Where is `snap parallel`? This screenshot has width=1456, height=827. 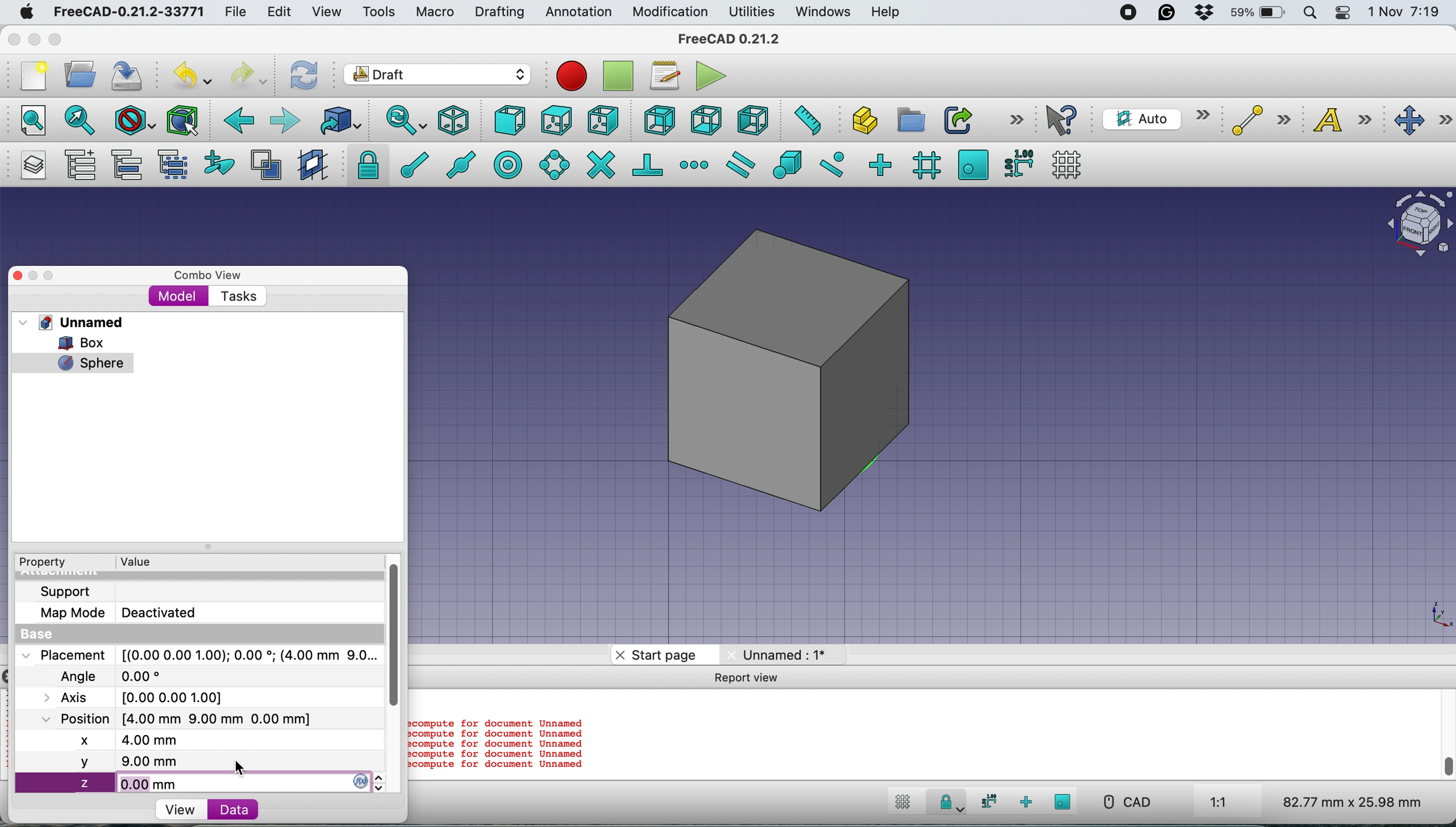 snap parallel is located at coordinates (738, 165).